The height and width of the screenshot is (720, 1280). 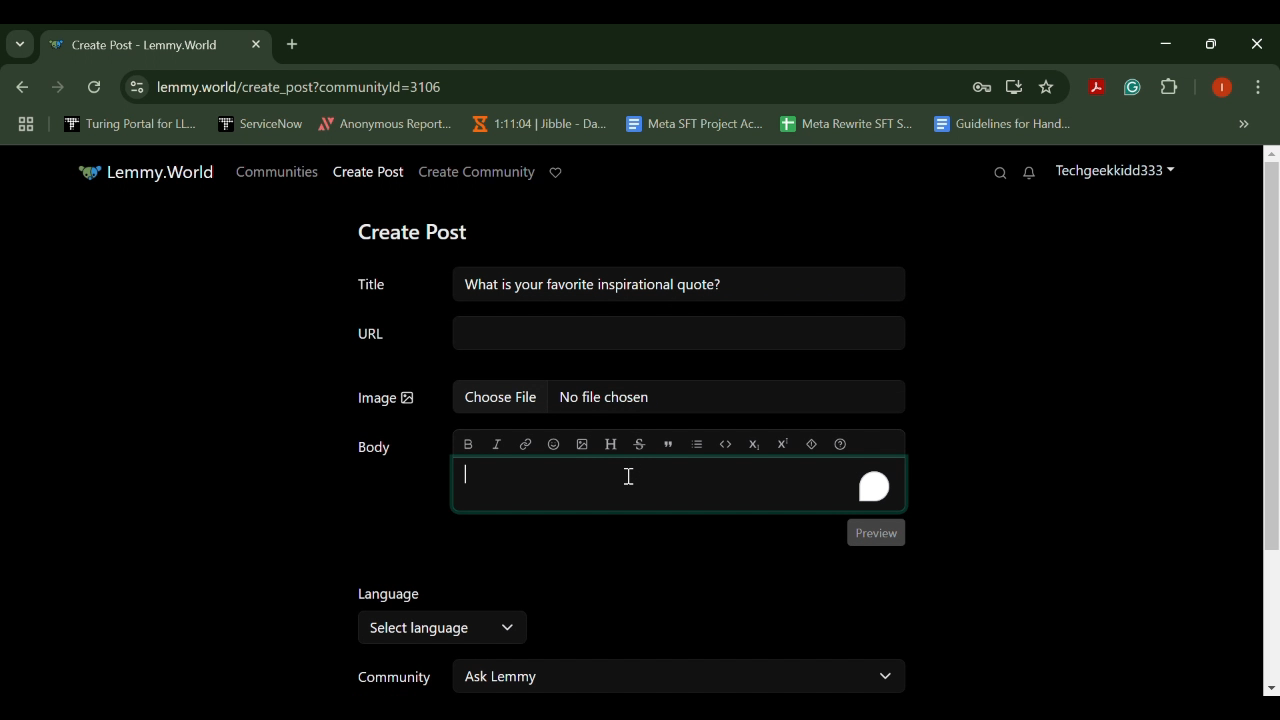 I want to click on Title: What is your favorite inspirational quote?, so click(x=626, y=282).